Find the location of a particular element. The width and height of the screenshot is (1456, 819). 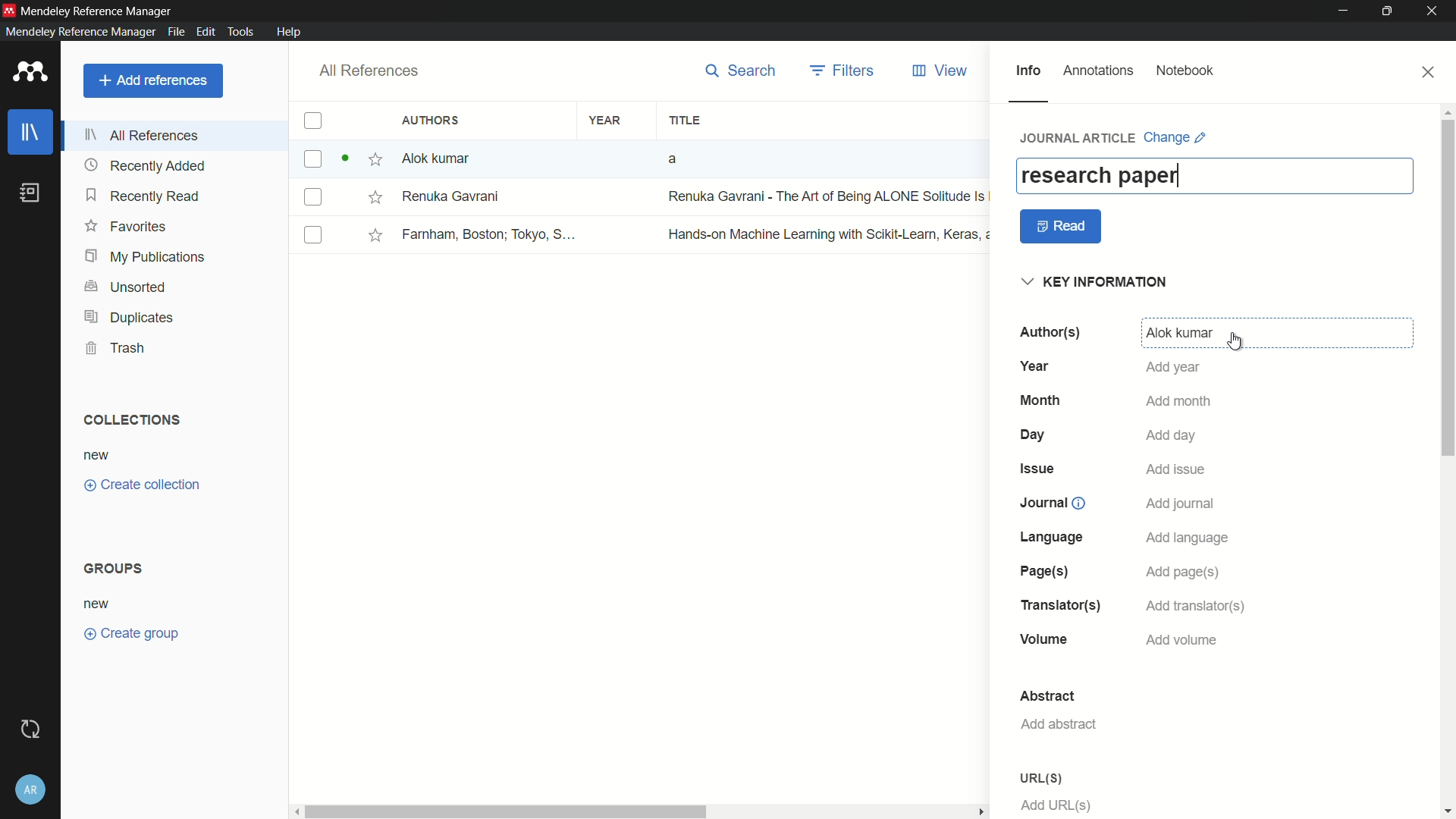

app icon is located at coordinates (9, 10).